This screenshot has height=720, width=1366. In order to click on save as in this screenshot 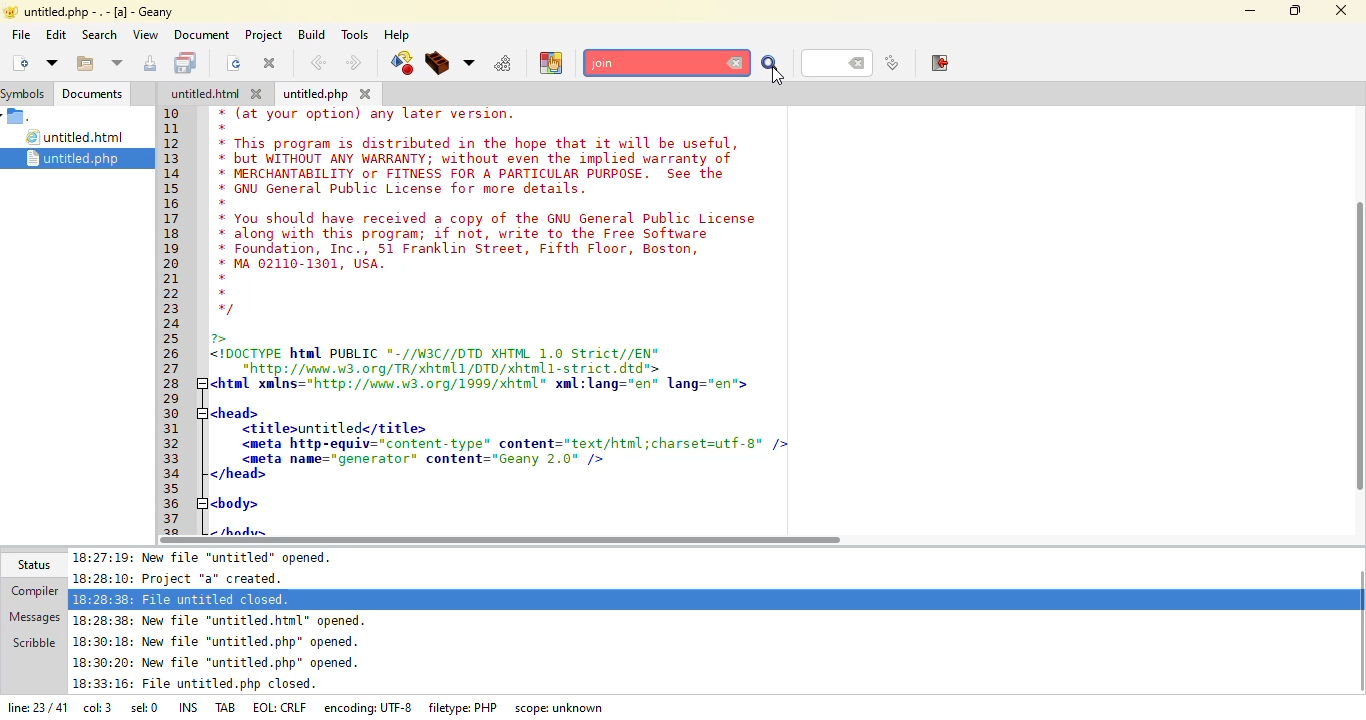, I will do `click(152, 63)`.